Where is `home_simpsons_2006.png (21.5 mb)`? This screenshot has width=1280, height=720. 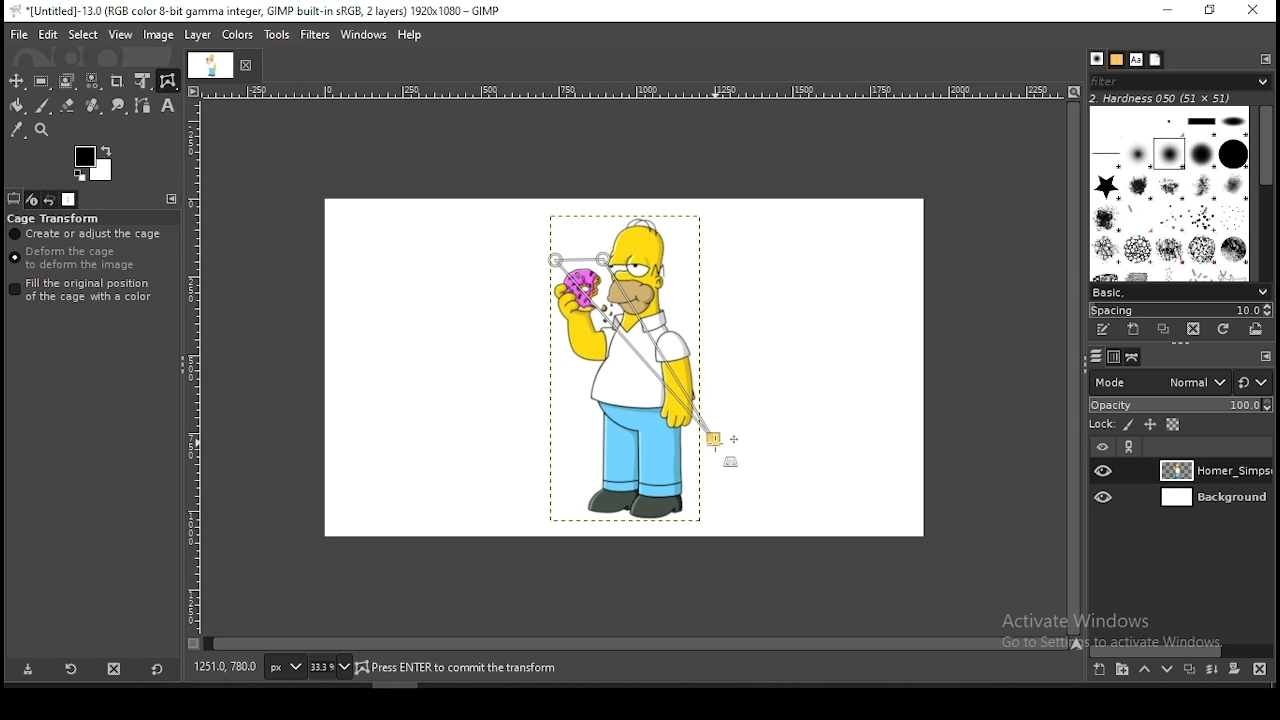 home_simpsons_2006.png (21.5 mb) is located at coordinates (462, 669).